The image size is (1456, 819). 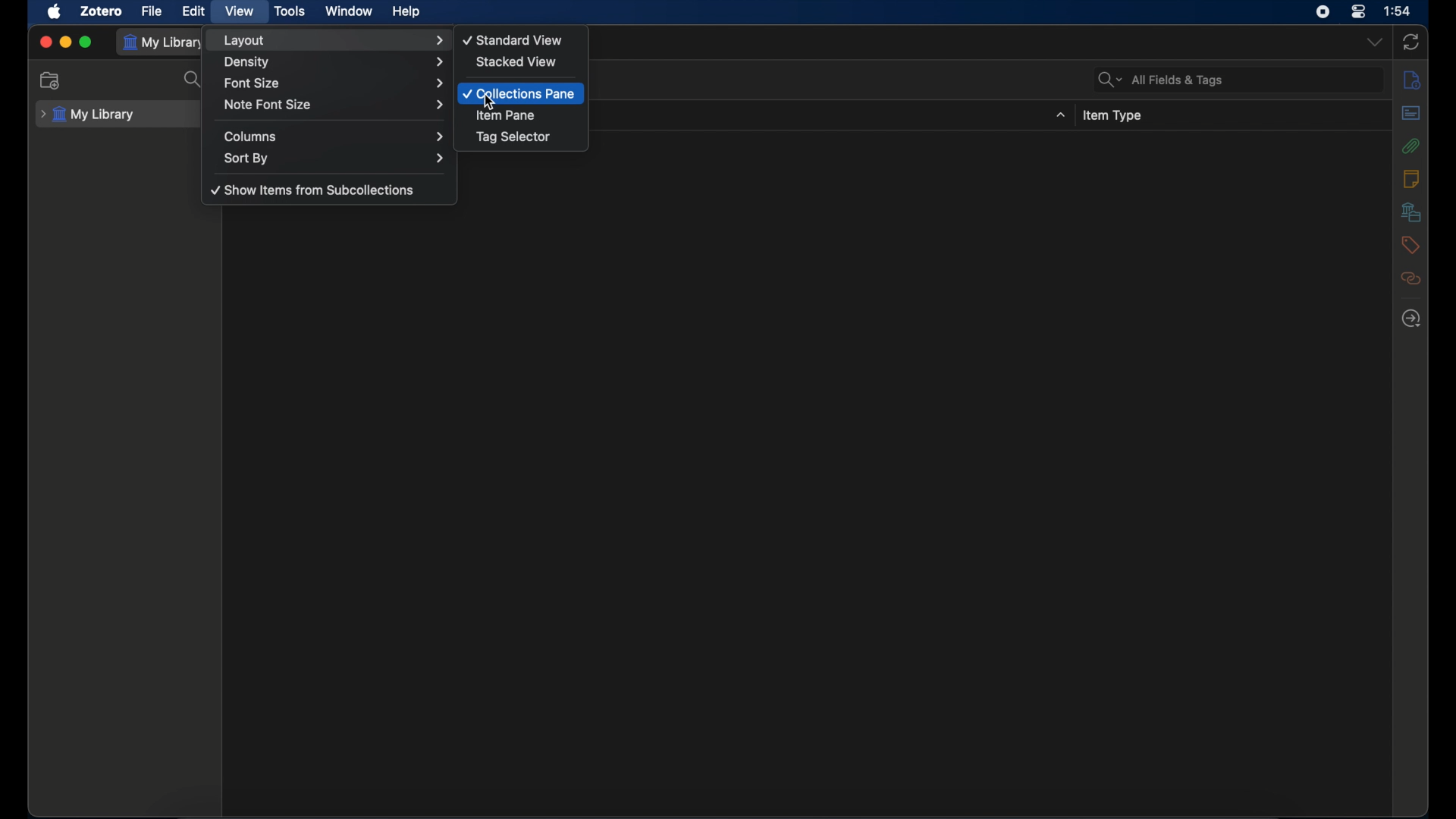 What do you see at coordinates (336, 136) in the screenshot?
I see `columns` at bounding box center [336, 136].